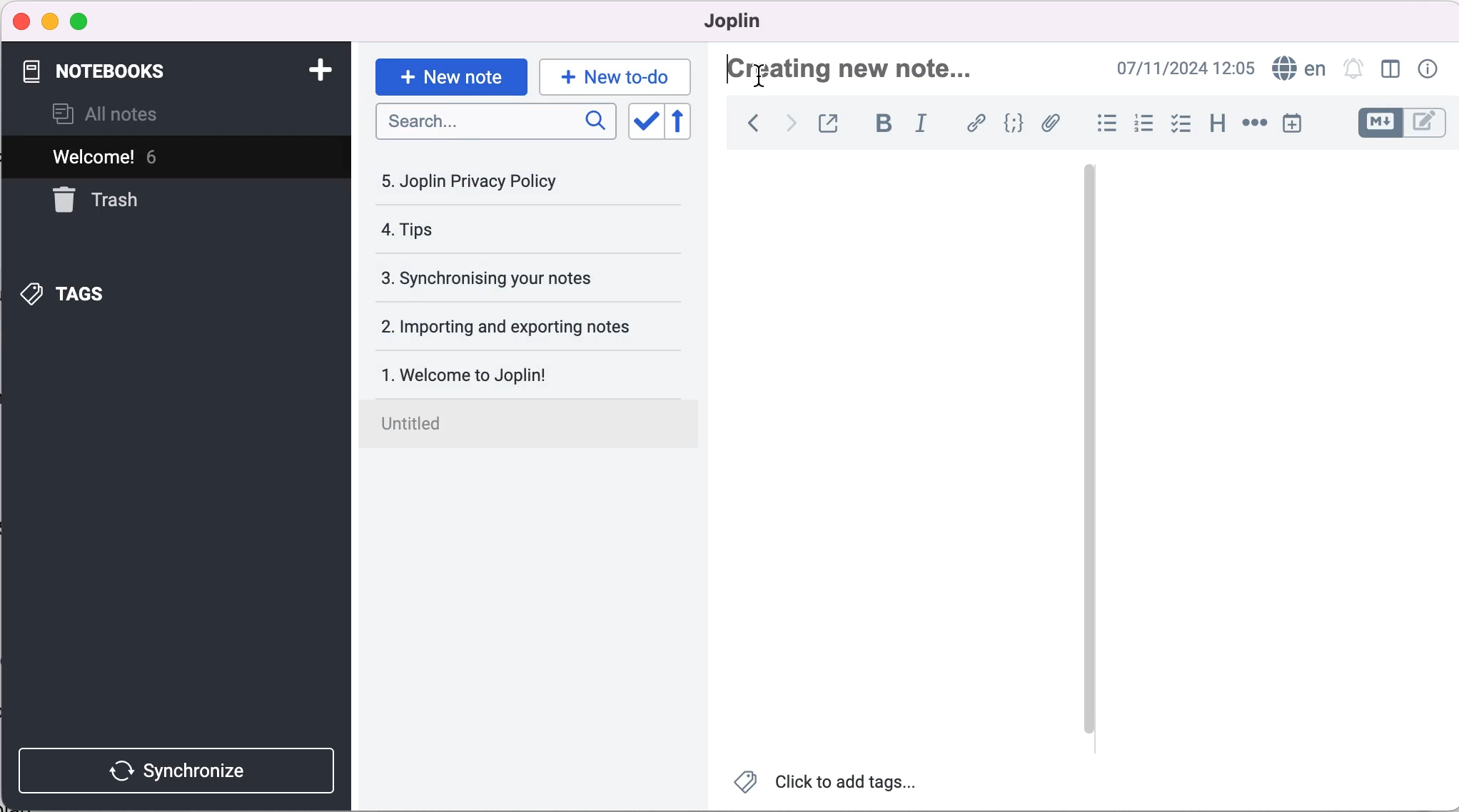 The height and width of the screenshot is (812, 1459). Describe the element at coordinates (747, 123) in the screenshot. I see `back` at that location.